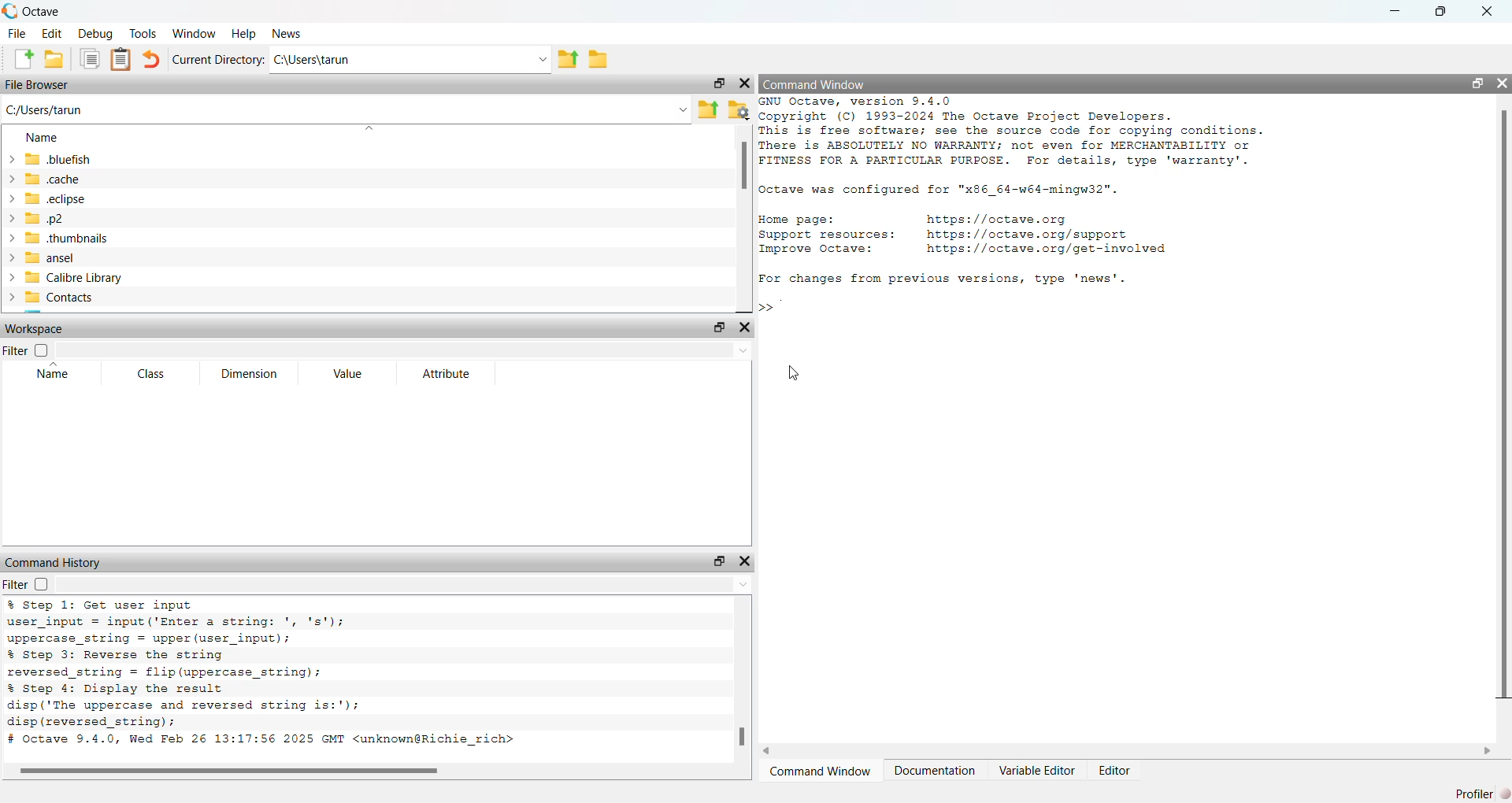 The image size is (1512, 803). Describe the element at coordinates (124, 240) in the screenshot. I see `.thumbnails` at that location.